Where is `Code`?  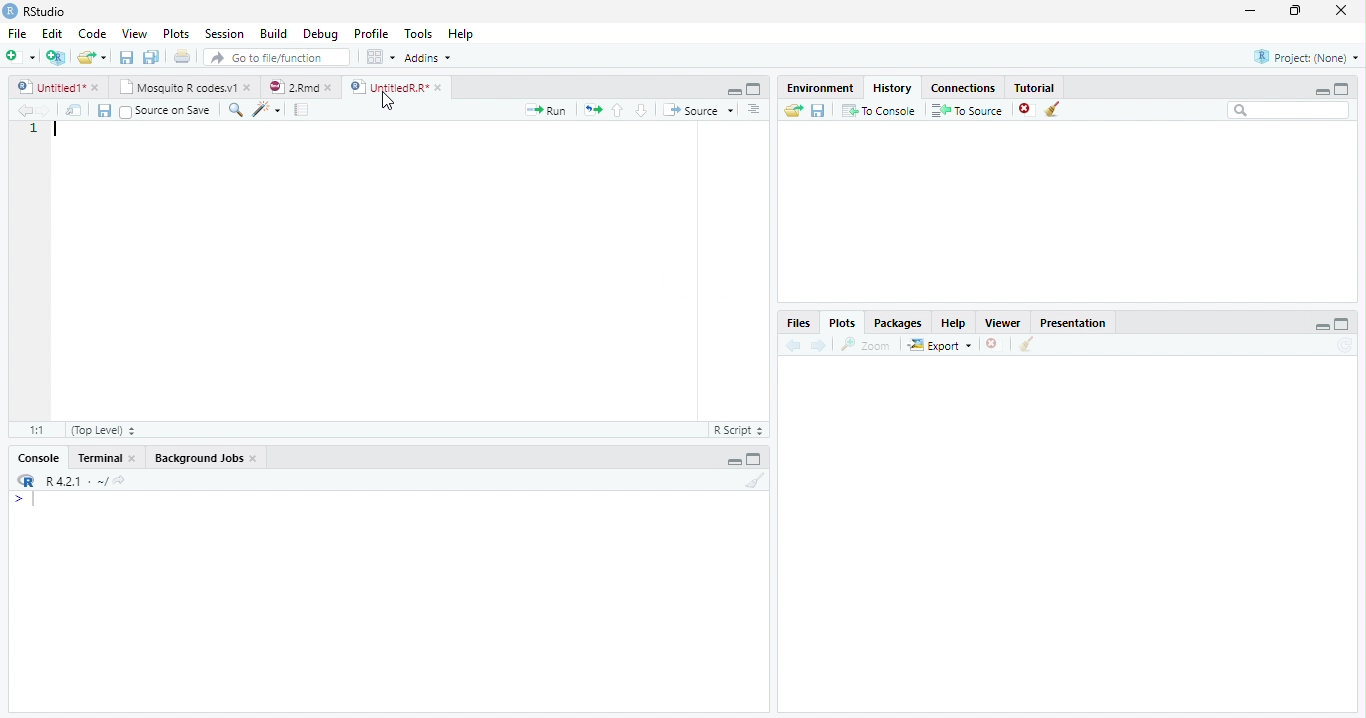
Code is located at coordinates (92, 33).